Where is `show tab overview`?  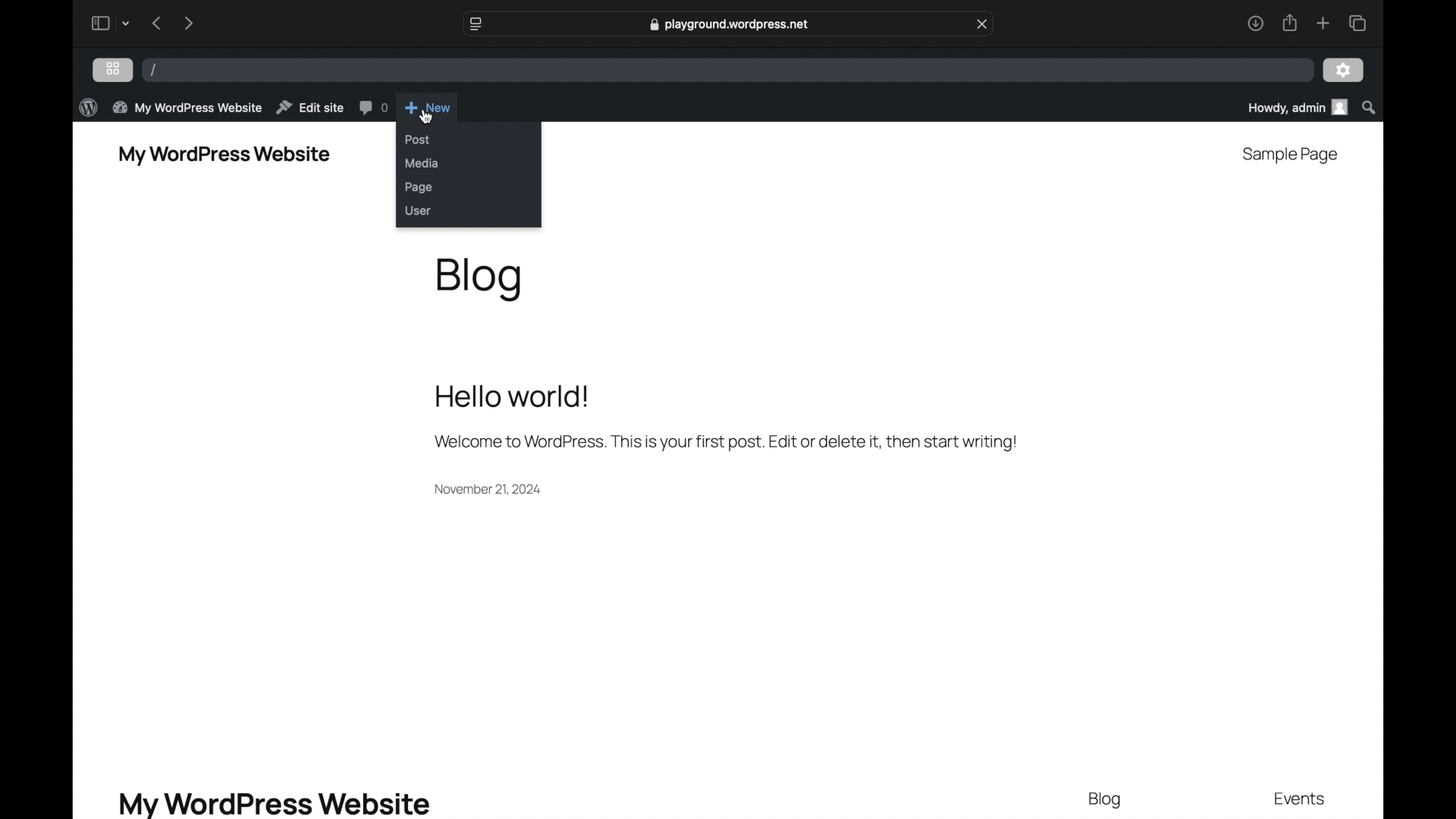
show tab overview is located at coordinates (1357, 23).